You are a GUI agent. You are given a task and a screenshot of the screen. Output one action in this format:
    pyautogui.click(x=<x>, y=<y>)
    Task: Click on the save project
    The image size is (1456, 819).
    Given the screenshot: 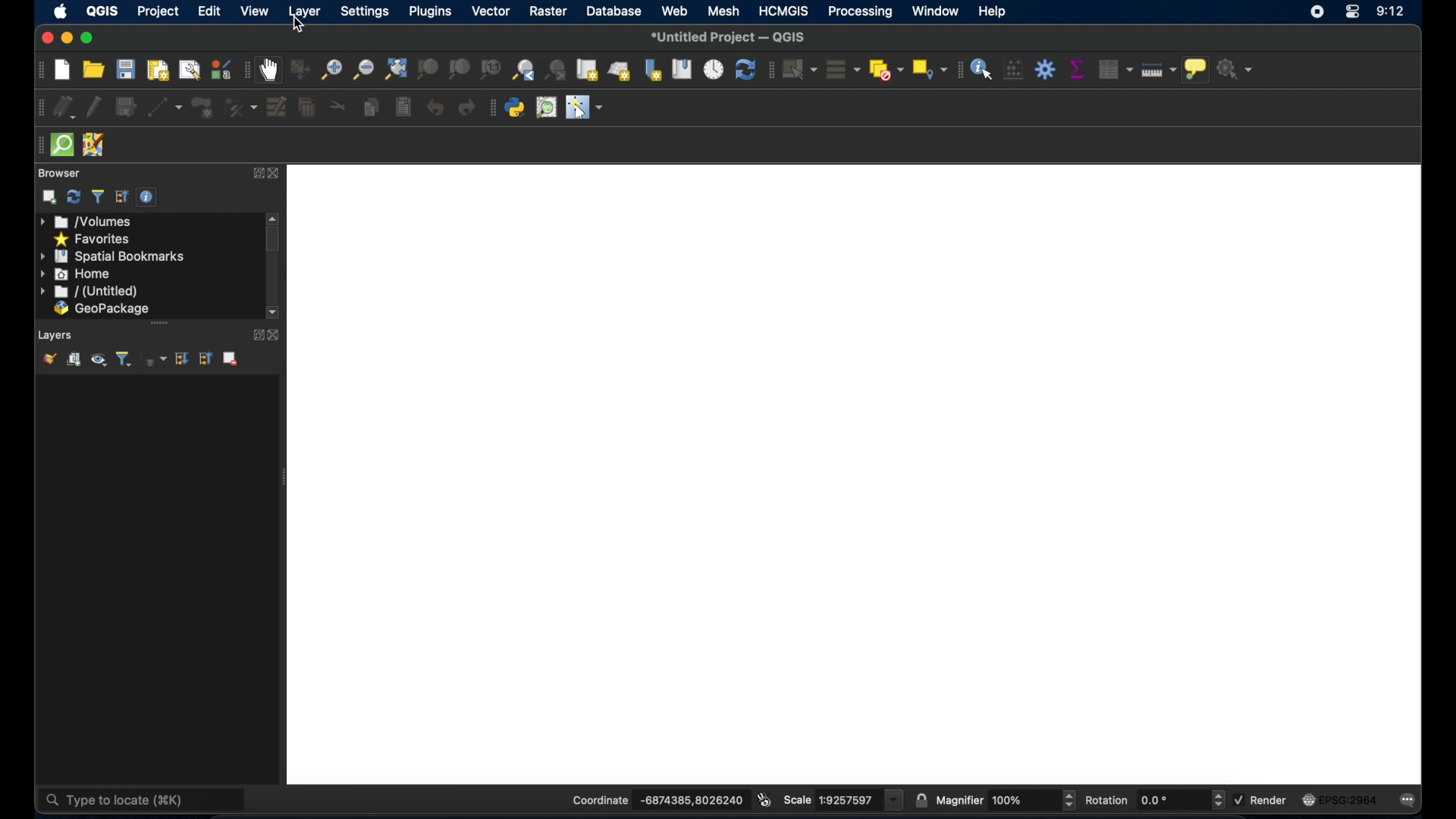 What is the action you would take?
    pyautogui.click(x=127, y=71)
    